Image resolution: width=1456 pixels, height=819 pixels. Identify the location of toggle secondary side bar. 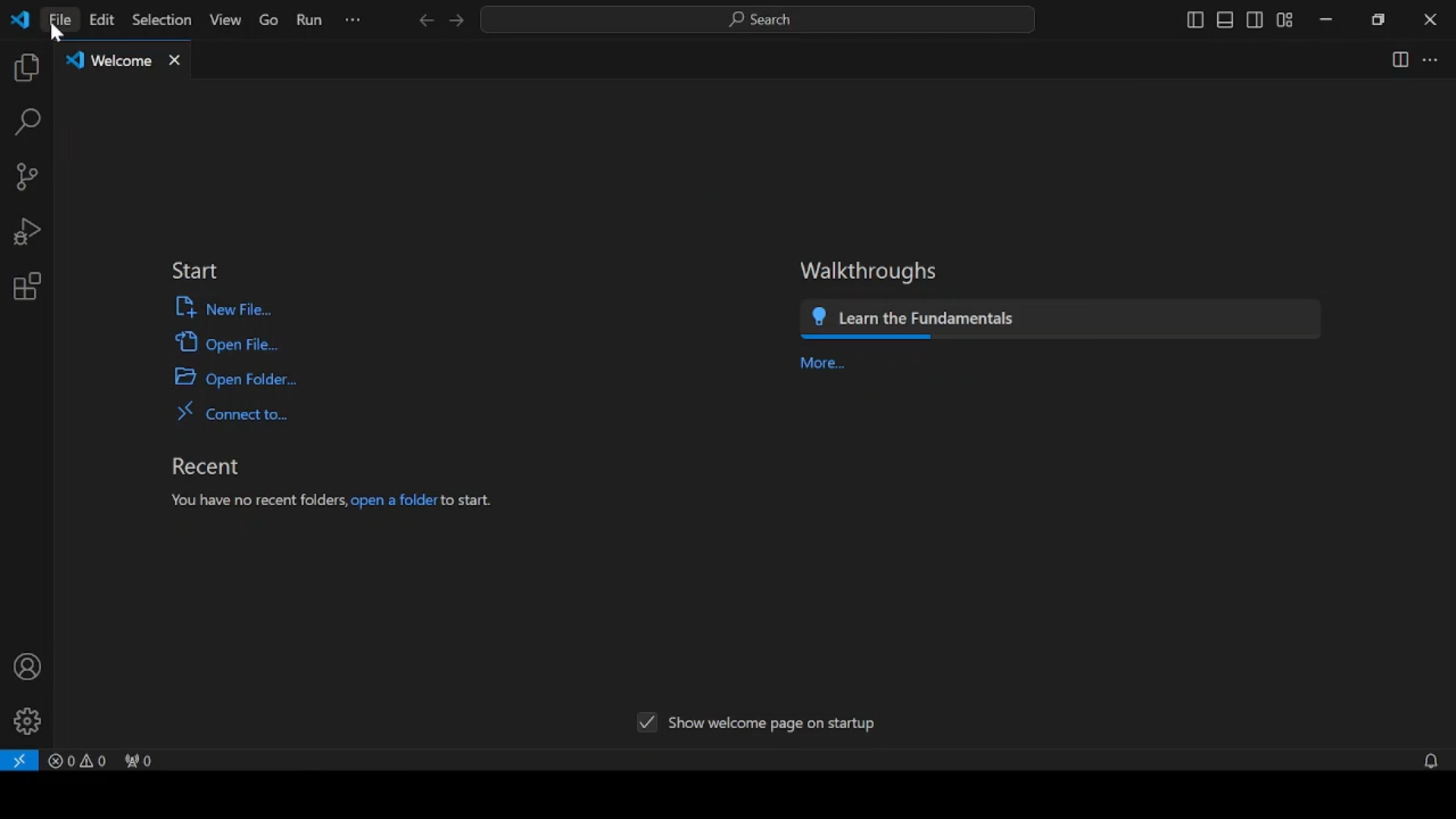
(1255, 20).